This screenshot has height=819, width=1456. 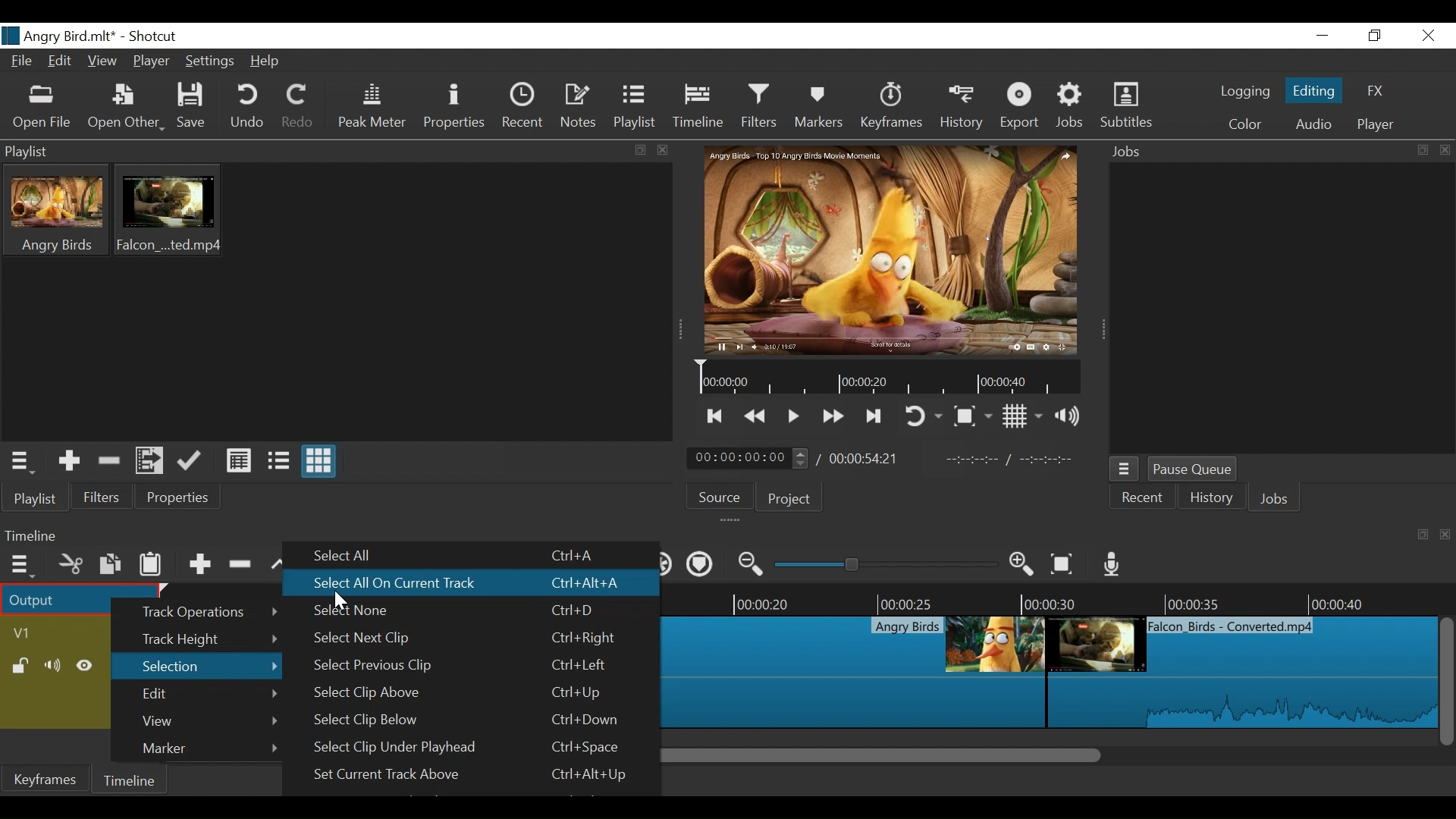 I want to click on Project Name, so click(x=58, y=36).